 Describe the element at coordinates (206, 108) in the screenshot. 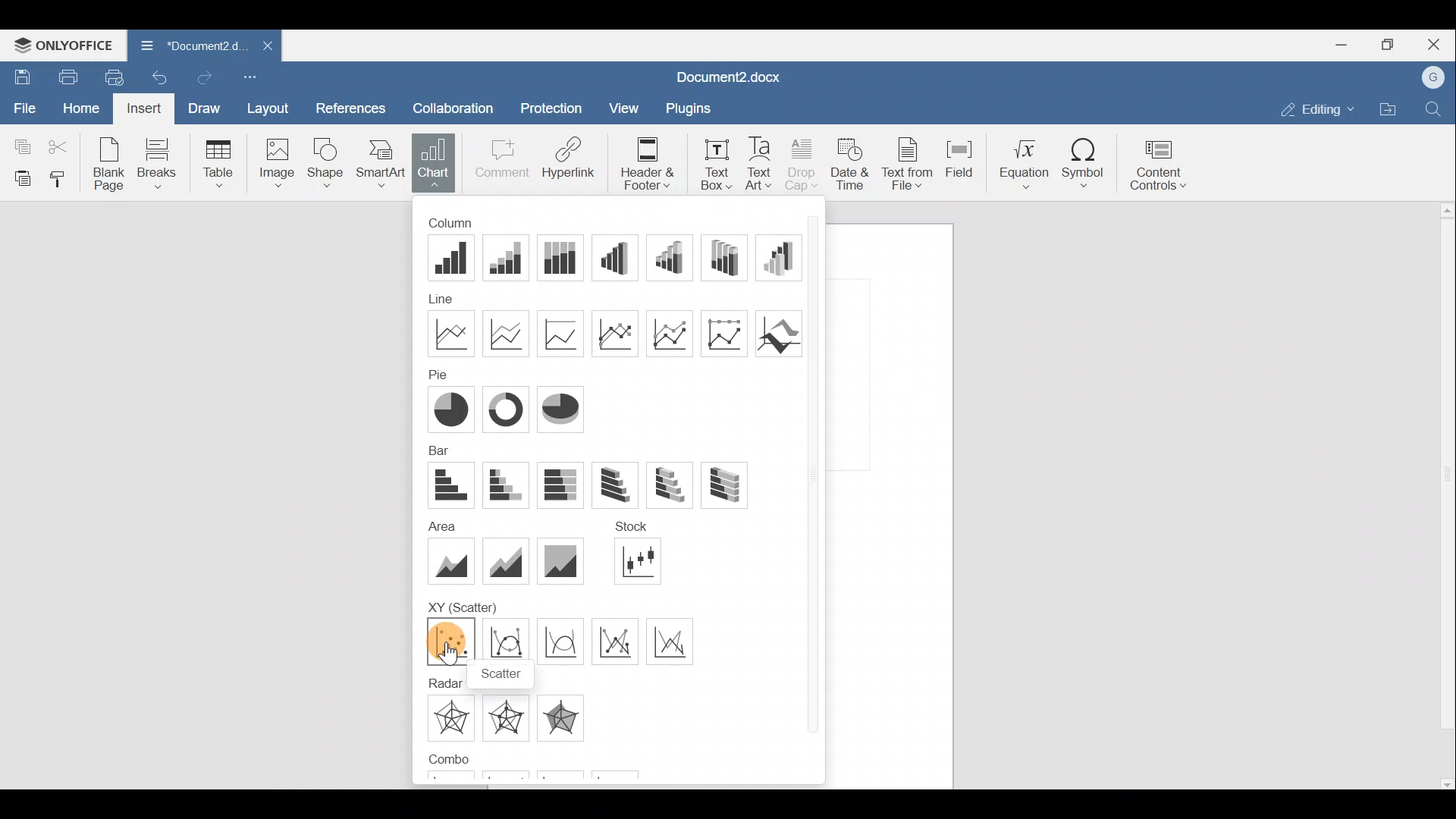

I see `Draw` at that location.